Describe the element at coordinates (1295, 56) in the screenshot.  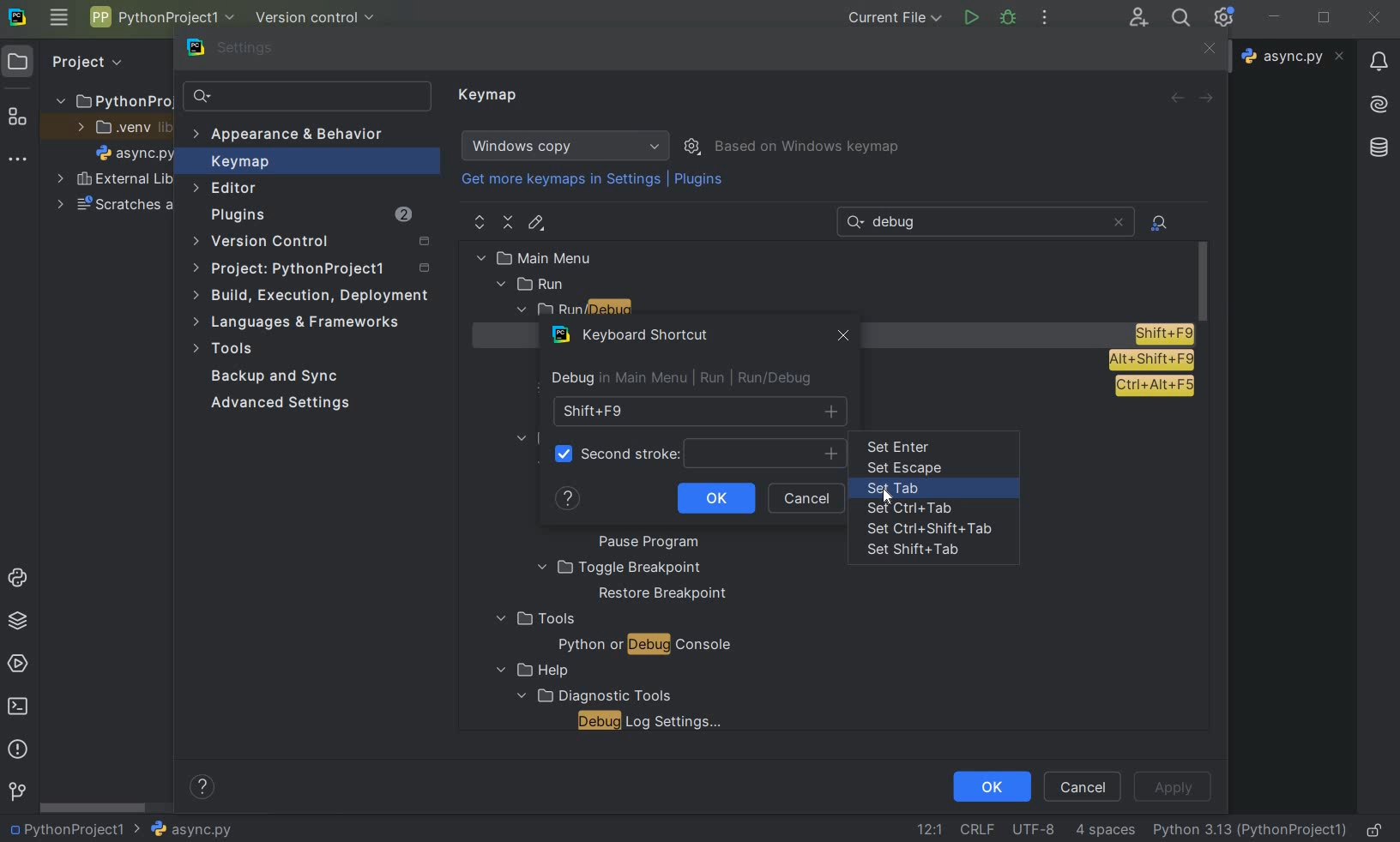
I see `file name` at that location.